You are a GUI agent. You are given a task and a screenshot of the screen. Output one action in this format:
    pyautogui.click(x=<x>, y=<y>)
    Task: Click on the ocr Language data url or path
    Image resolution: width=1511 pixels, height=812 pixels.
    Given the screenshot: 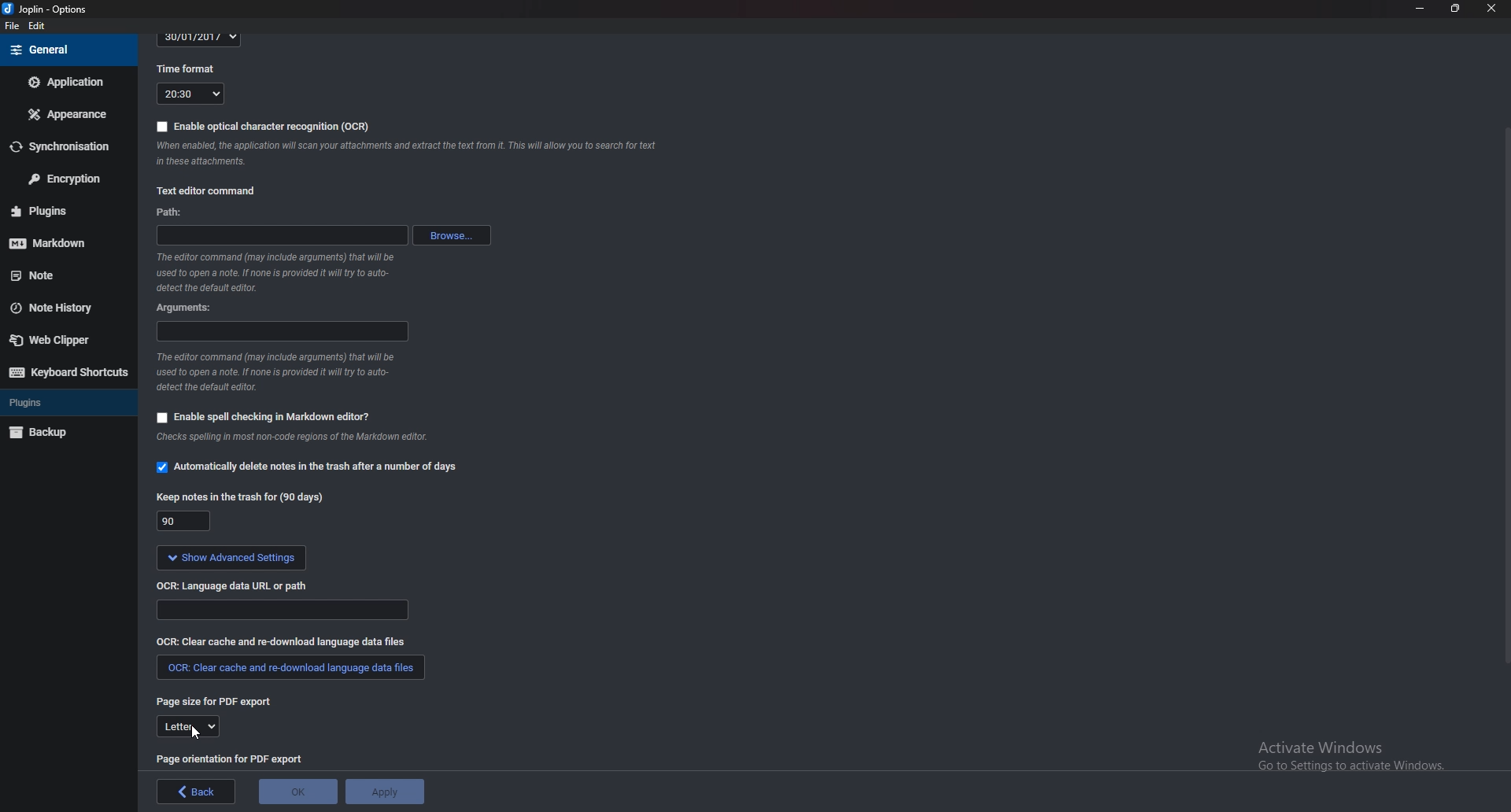 What is the action you would take?
    pyautogui.click(x=235, y=585)
    